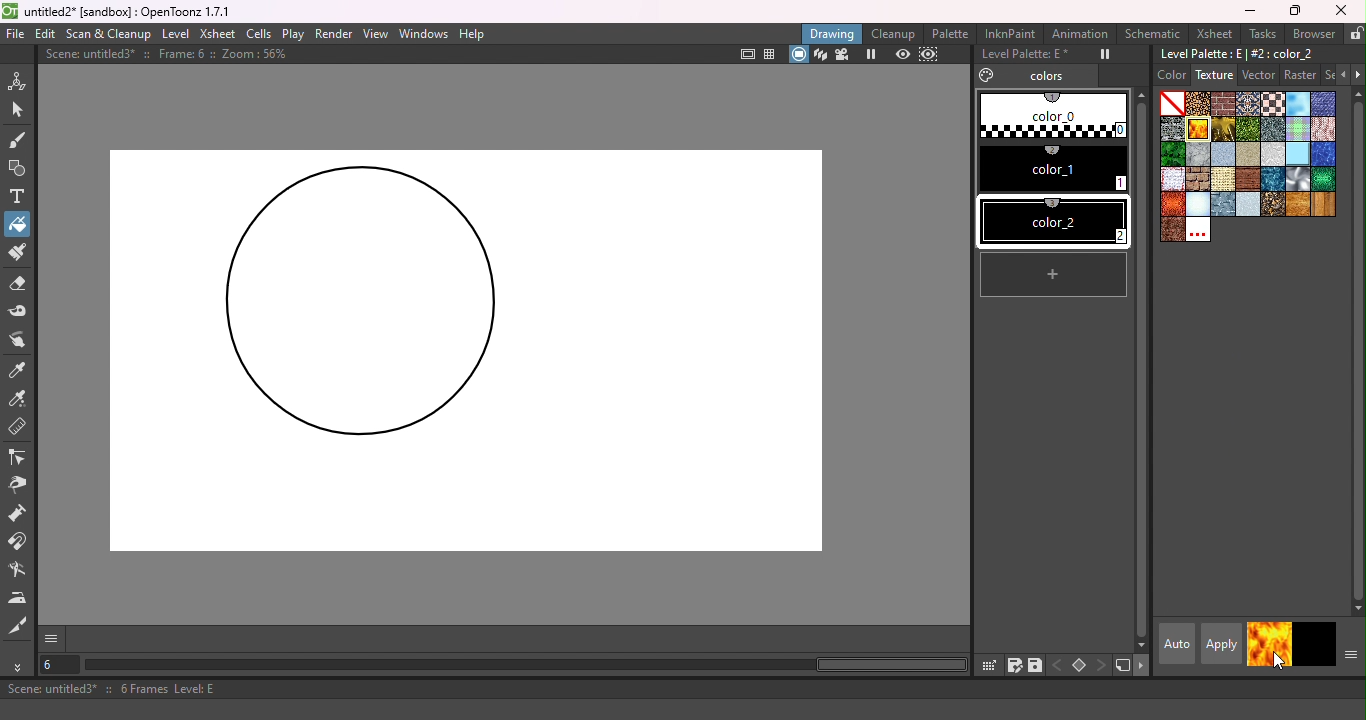 The height and width of the screenshot is (720, 1366). I want to click on File, so click(16, 35).